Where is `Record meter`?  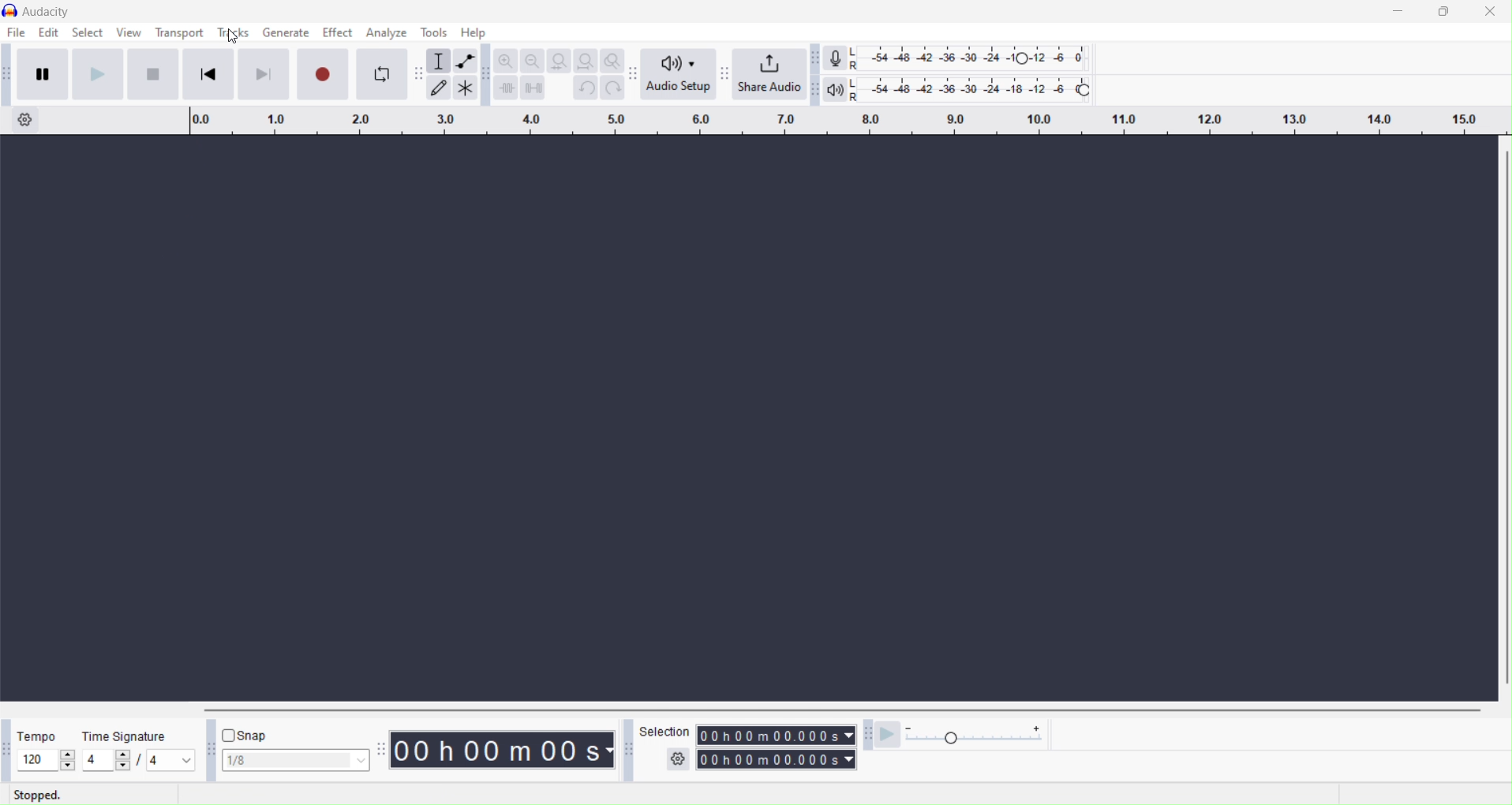
Record meter is located at coordinates (836, 58).